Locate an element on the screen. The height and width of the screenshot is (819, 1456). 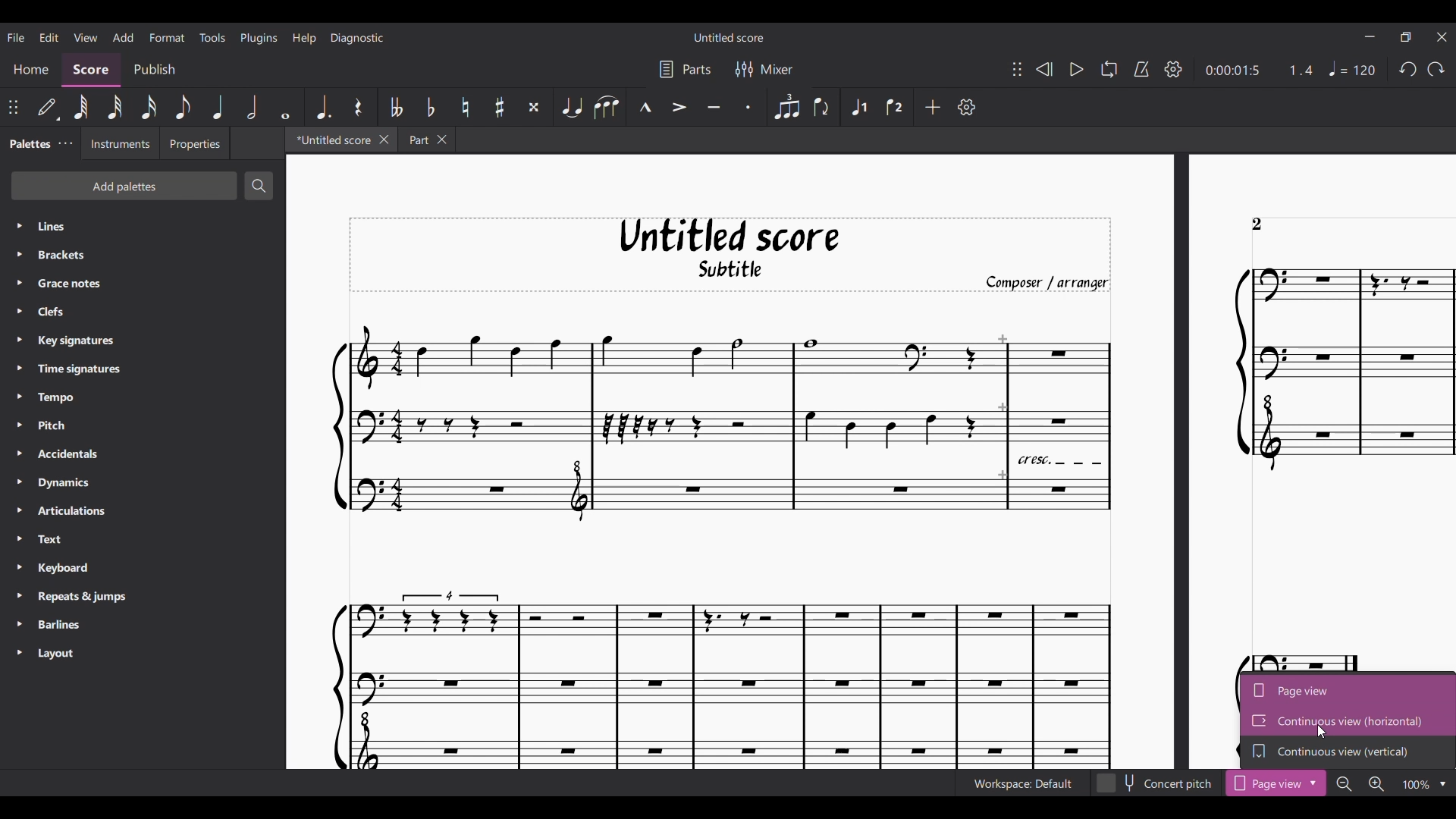
Default is located at coordinates (48, 108).